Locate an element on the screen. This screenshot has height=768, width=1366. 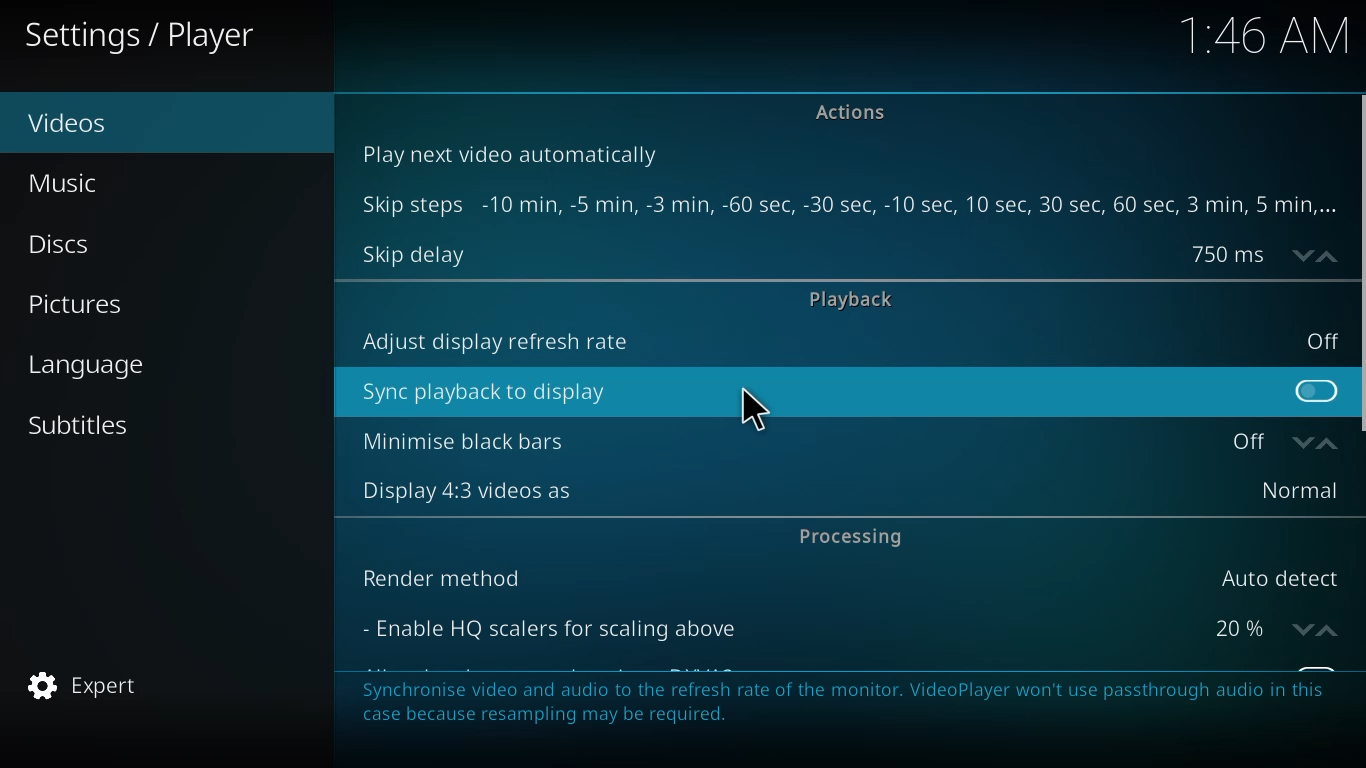
off is located at coordinates (1318, 342).